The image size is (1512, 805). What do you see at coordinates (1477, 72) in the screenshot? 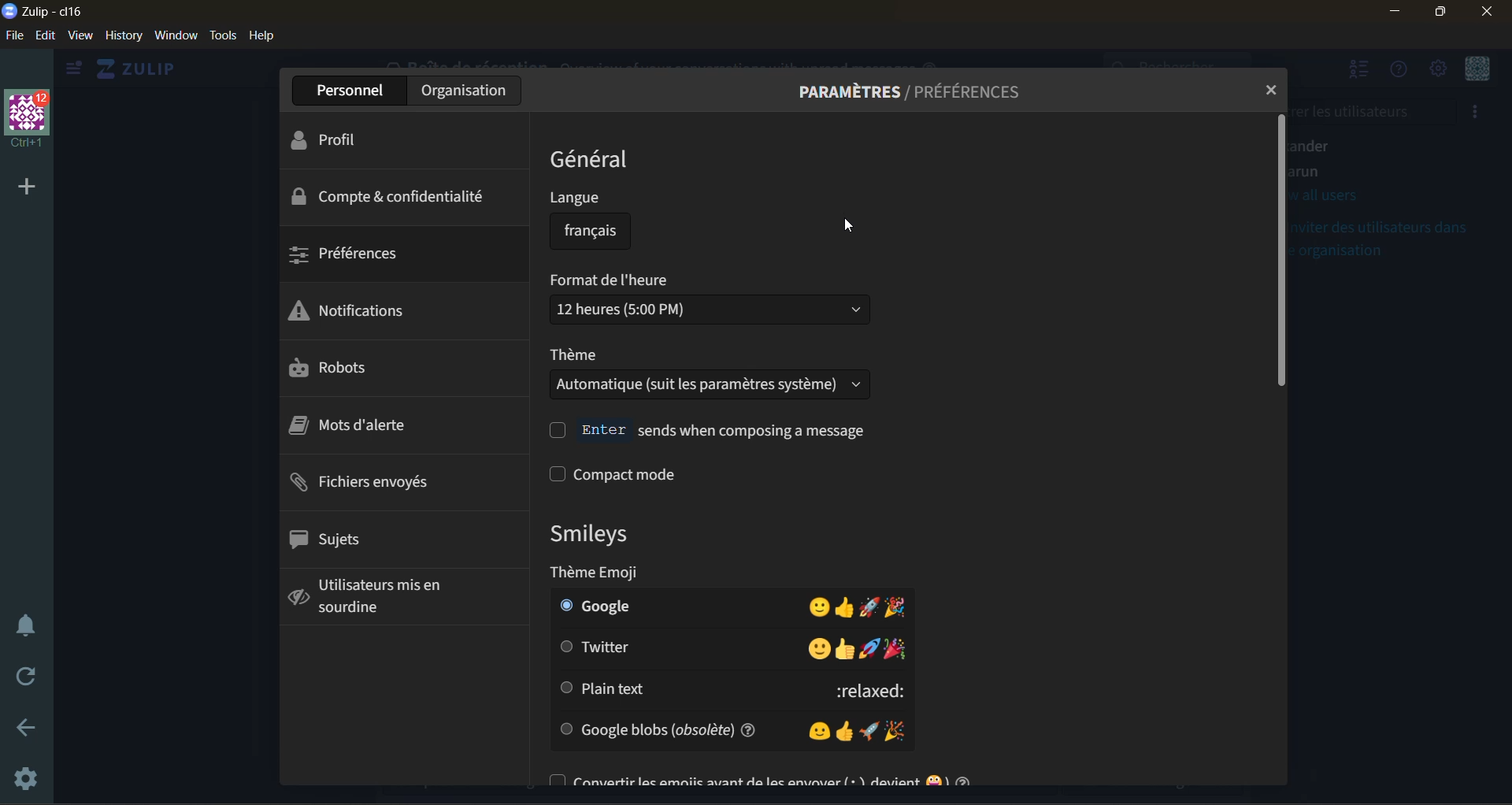
I see `menu` at bounding box center [1477, 72].